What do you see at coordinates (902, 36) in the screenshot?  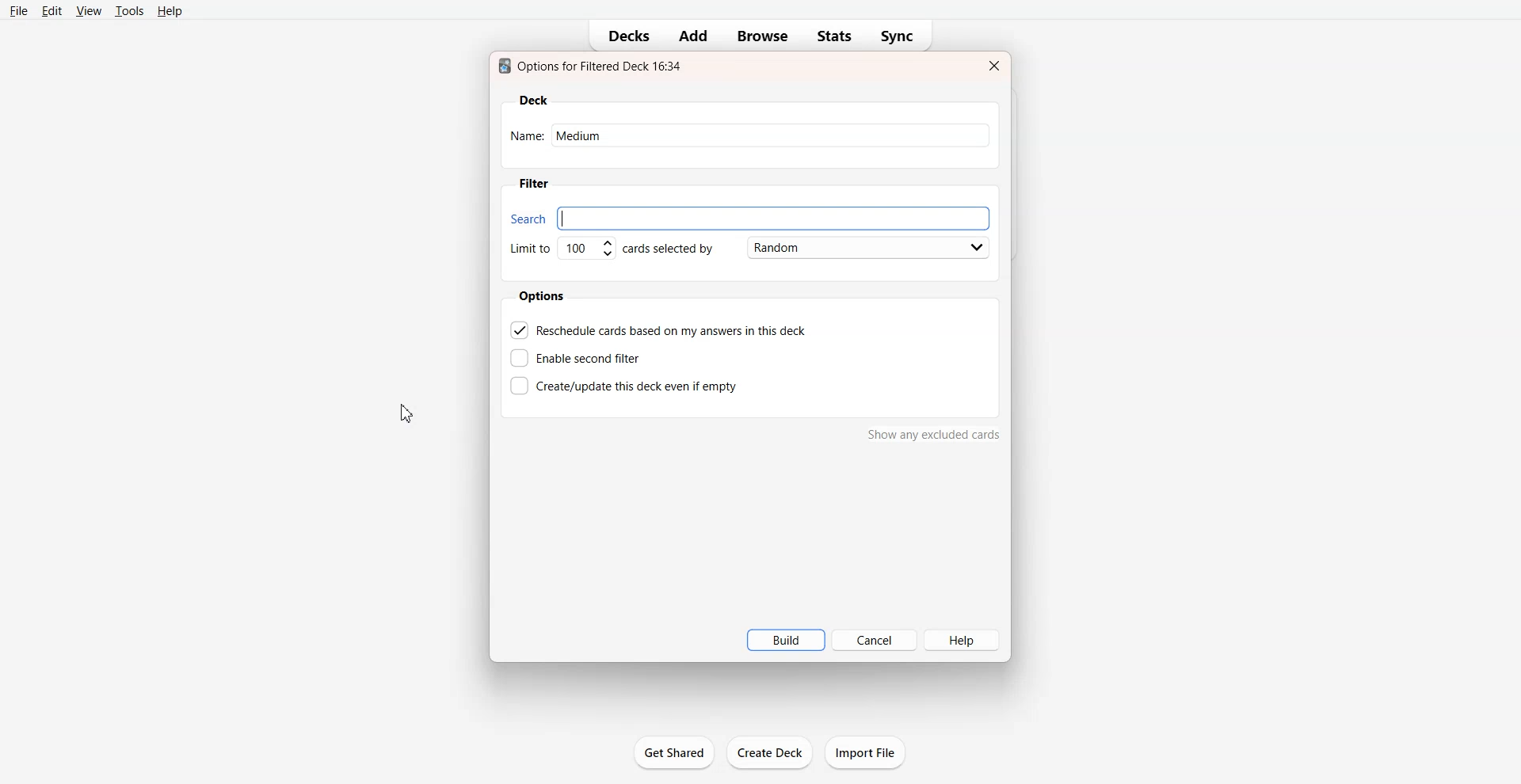 I see `Sync` at bounding box center [902, 36].